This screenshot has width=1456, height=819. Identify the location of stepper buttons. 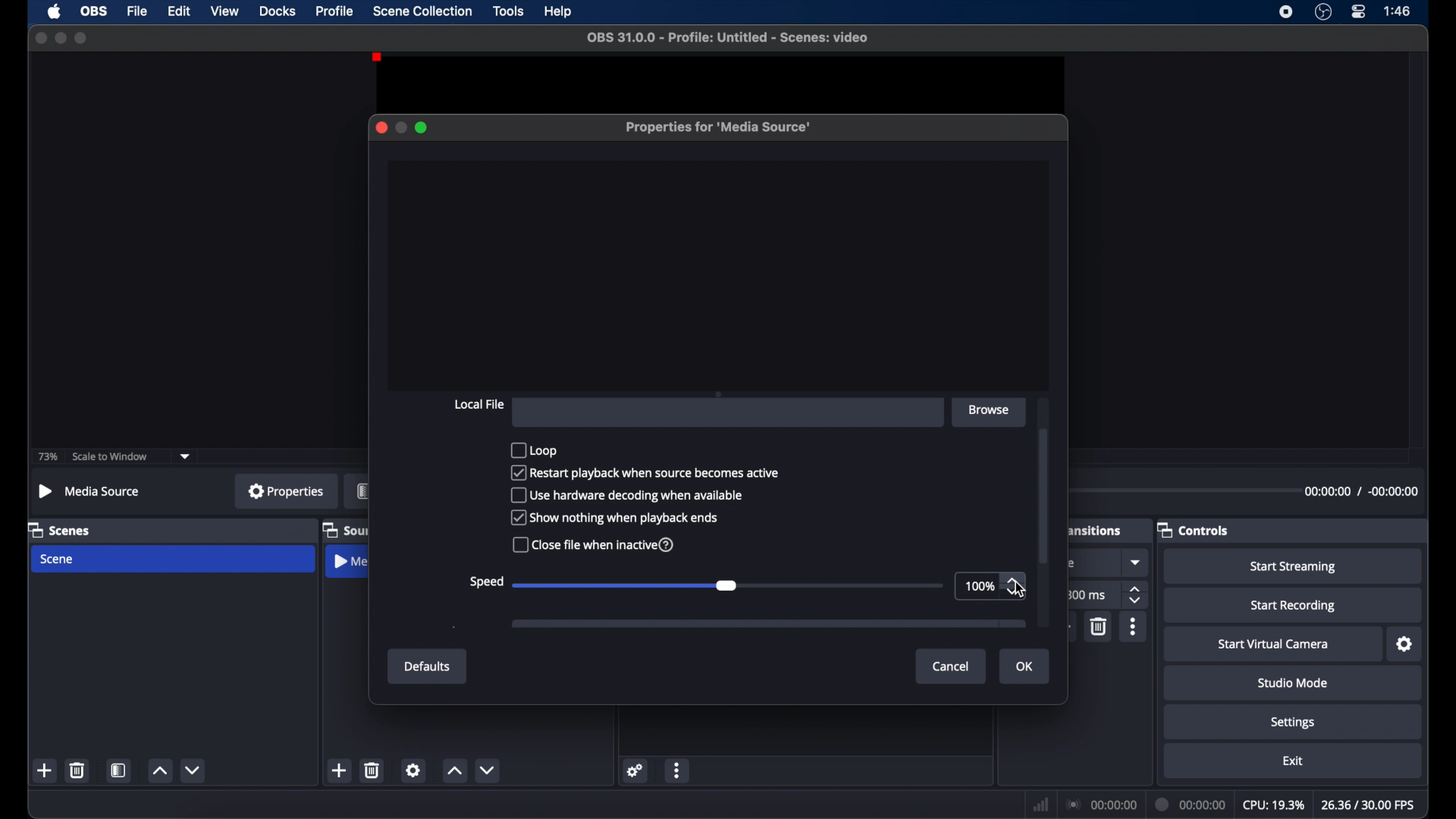
(1136, 595).